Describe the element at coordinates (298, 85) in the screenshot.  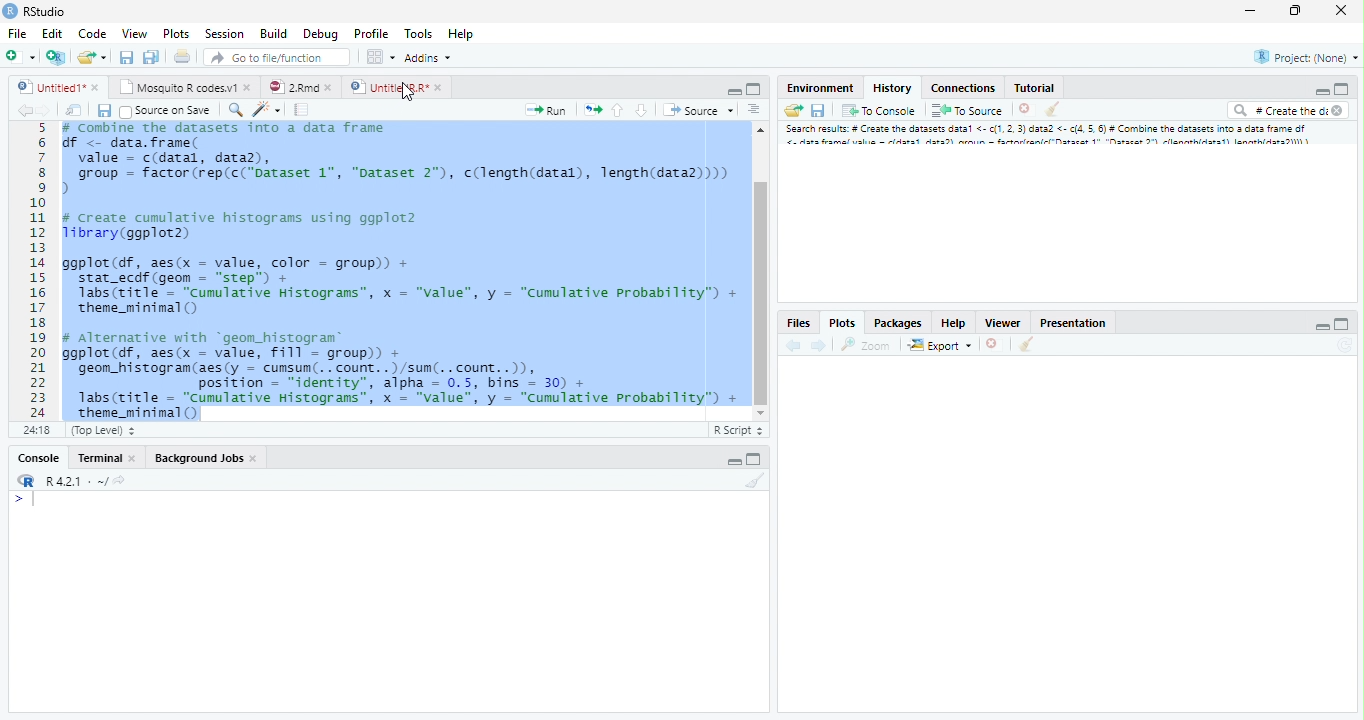
I see `2.Rmd` at that location.